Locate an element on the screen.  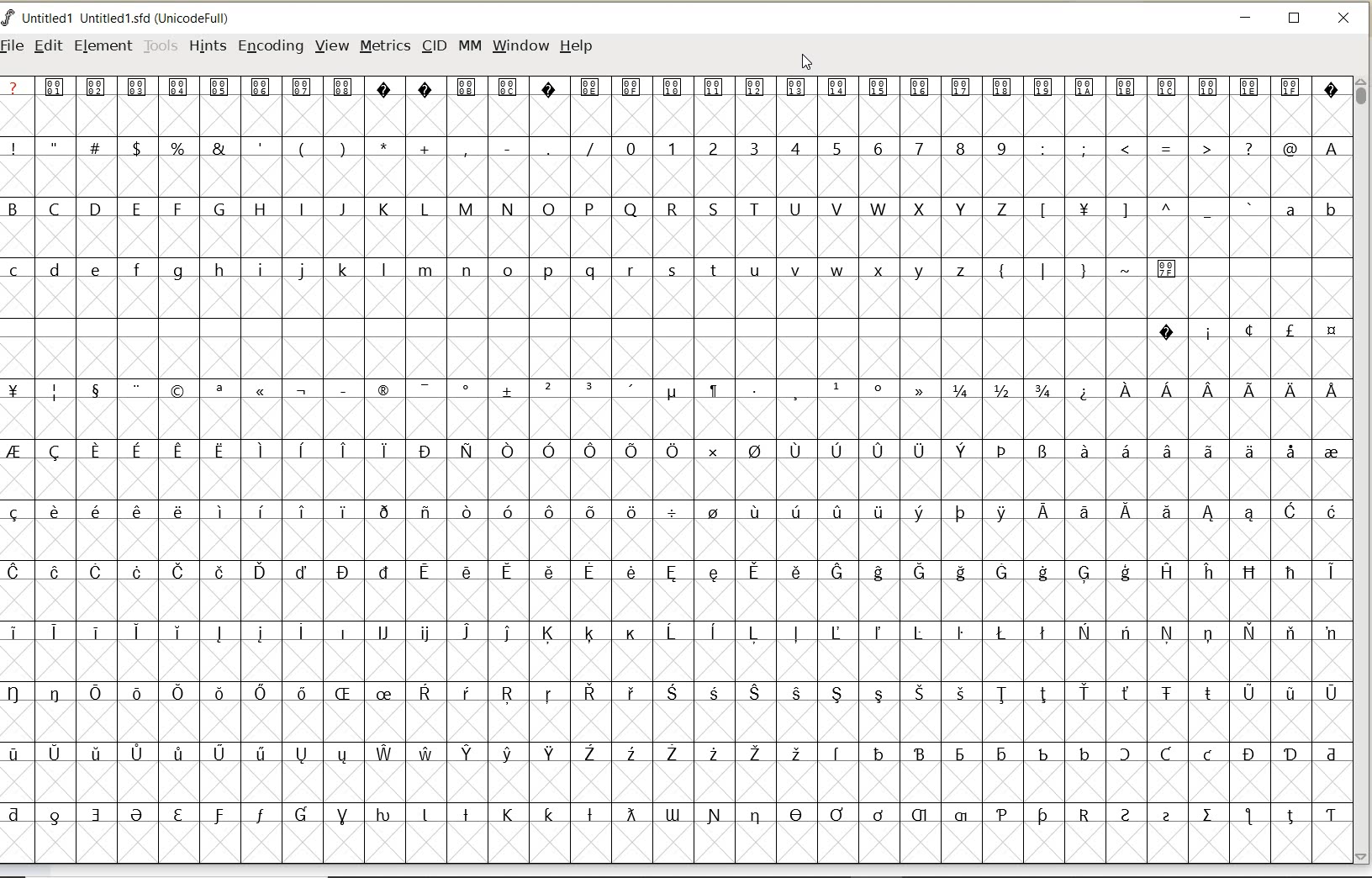
HELP is located at coordinates (576, 45).